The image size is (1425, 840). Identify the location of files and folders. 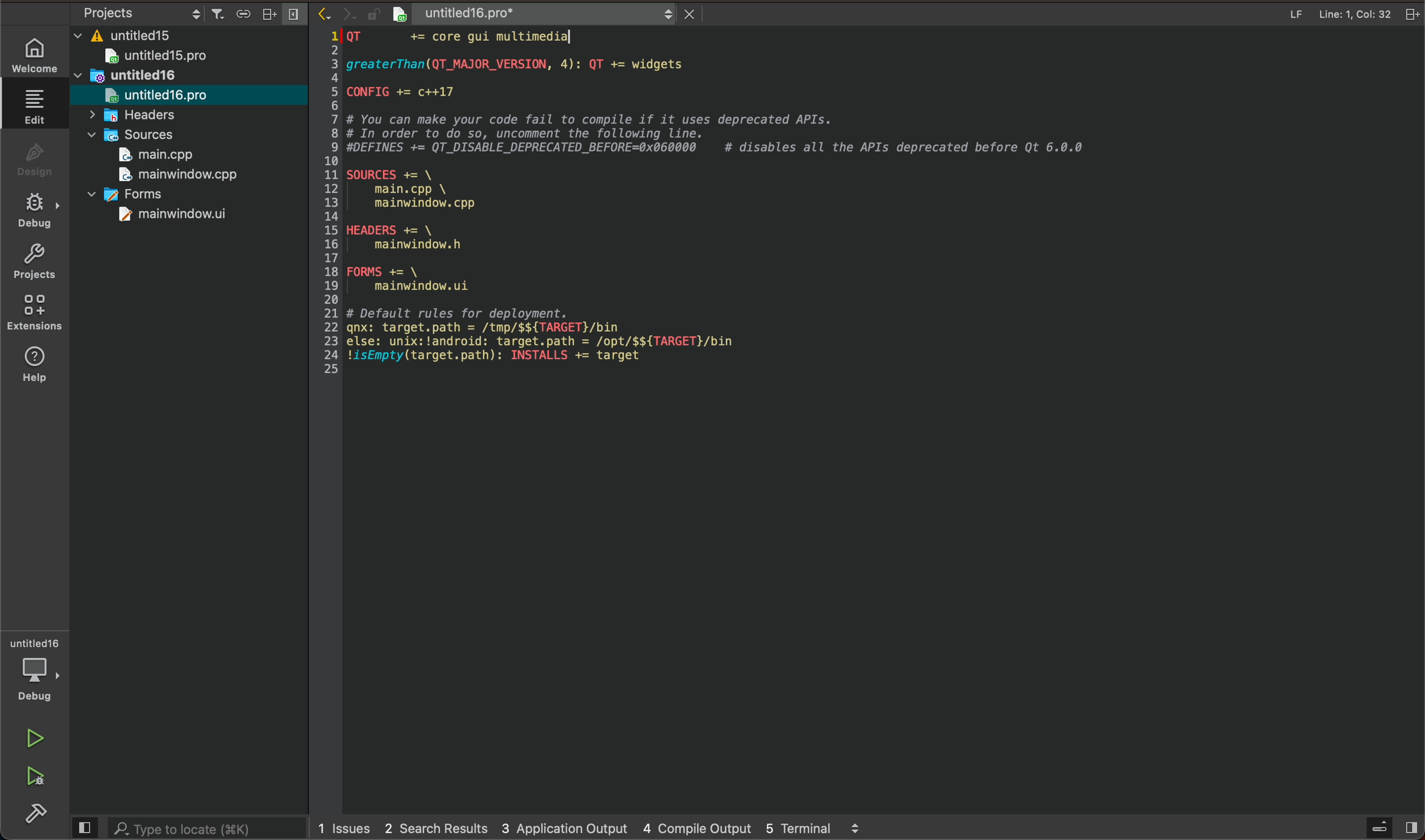
(192, 33).